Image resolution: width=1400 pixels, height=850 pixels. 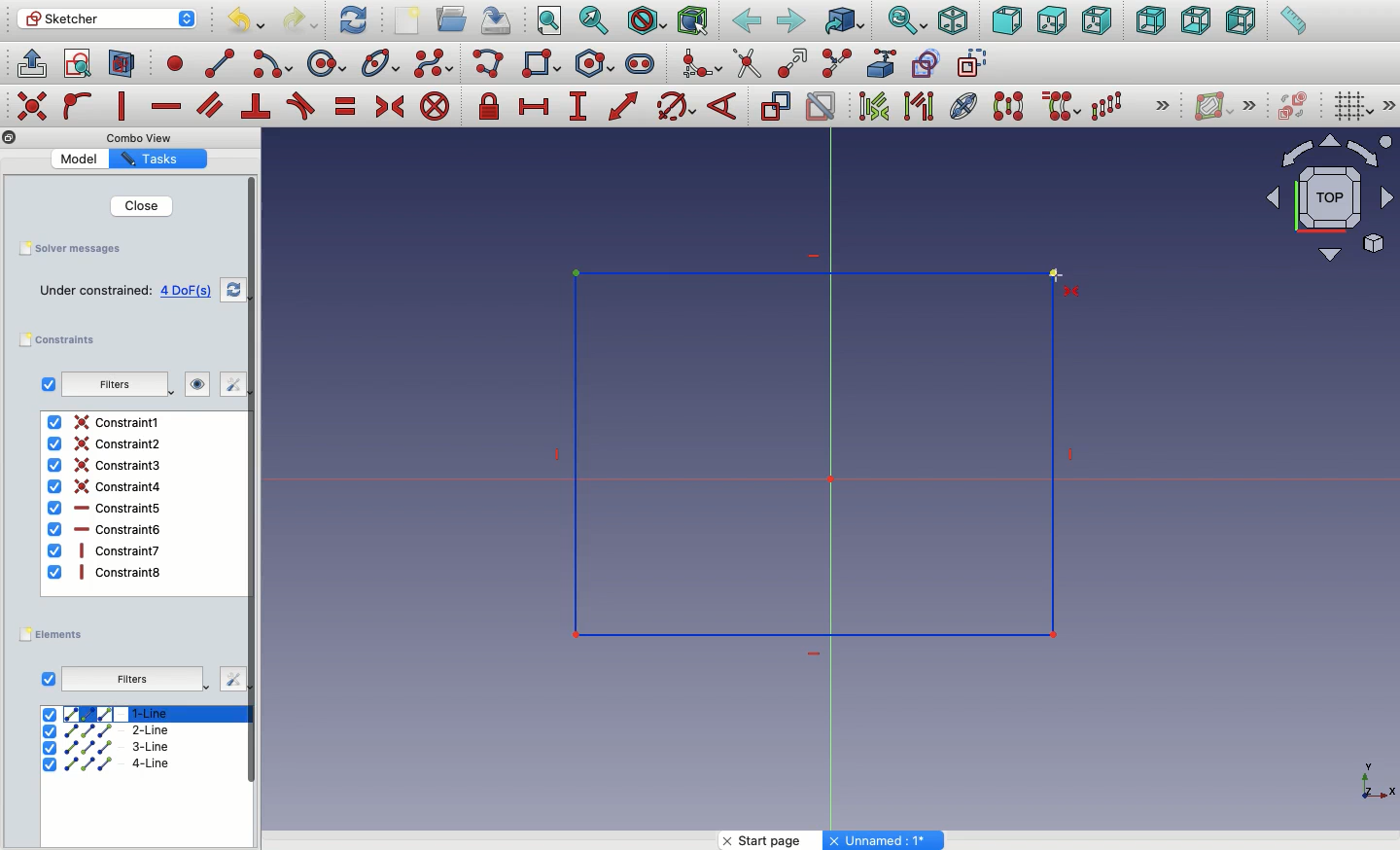 I want to click on Cursor, so click(x=1048, y=279).